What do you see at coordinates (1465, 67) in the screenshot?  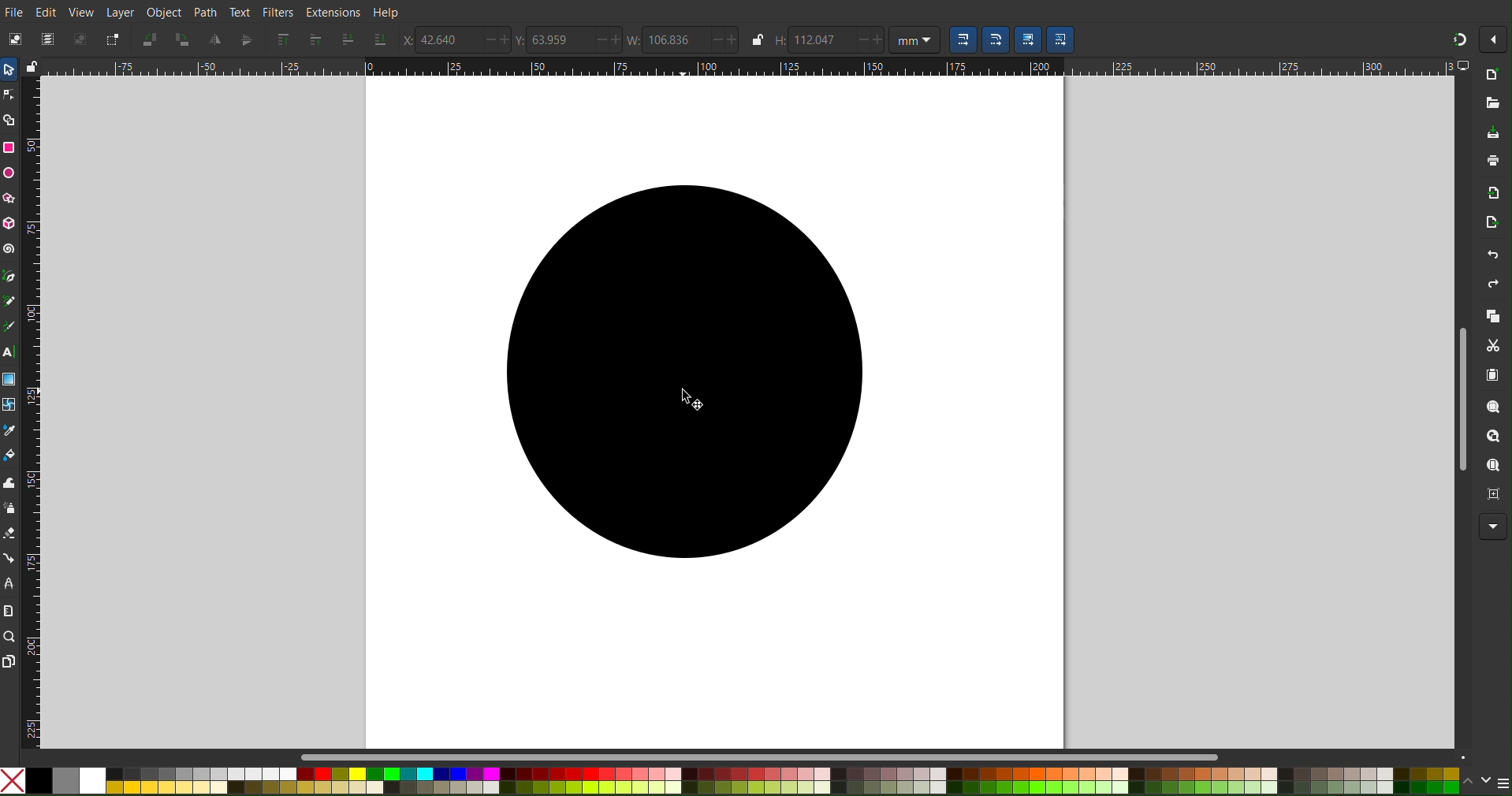 I see `computer icon` at bounding box center [1465, 67].